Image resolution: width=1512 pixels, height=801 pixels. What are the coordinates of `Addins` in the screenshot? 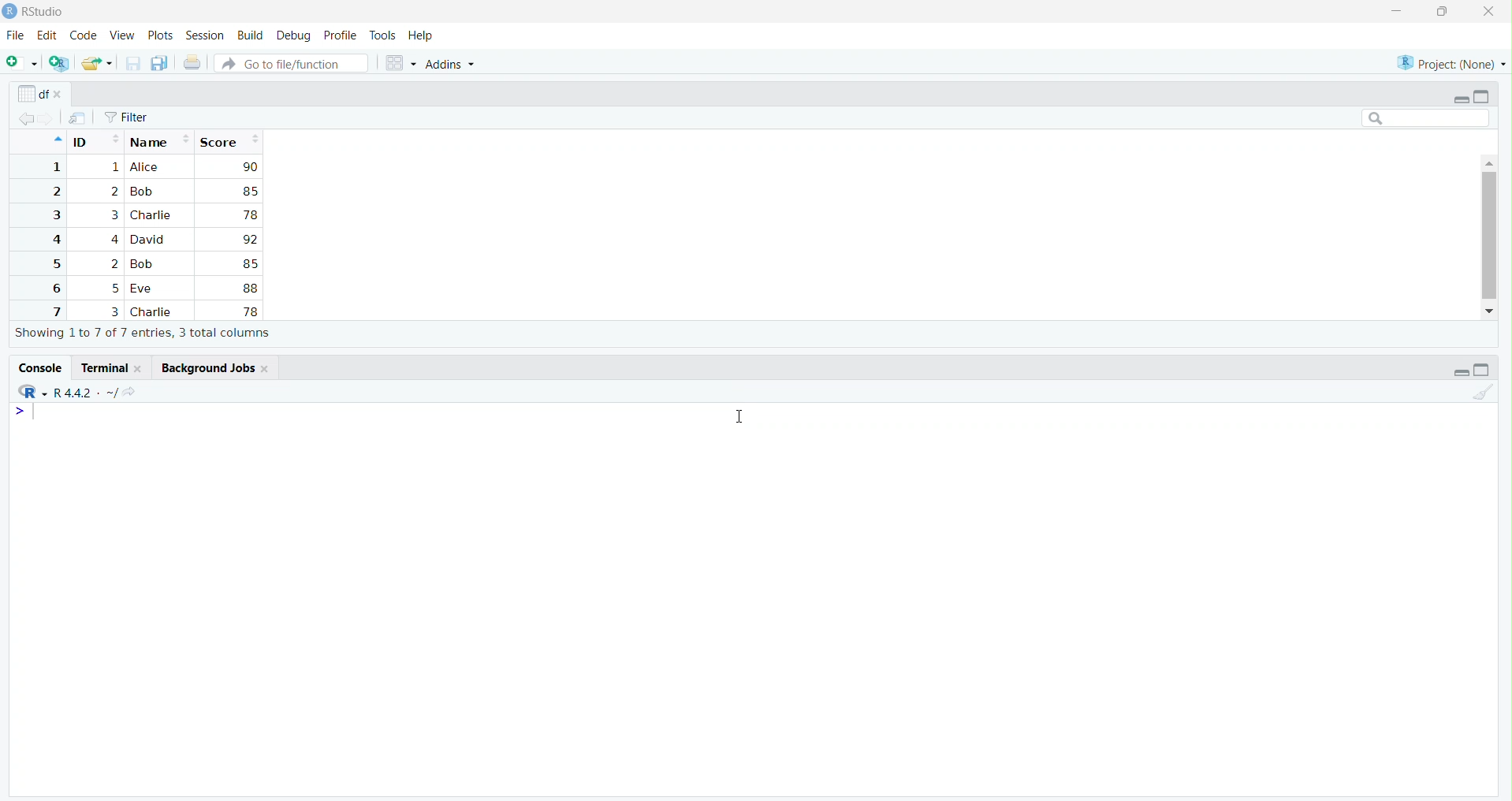 It's located at (450, 65).